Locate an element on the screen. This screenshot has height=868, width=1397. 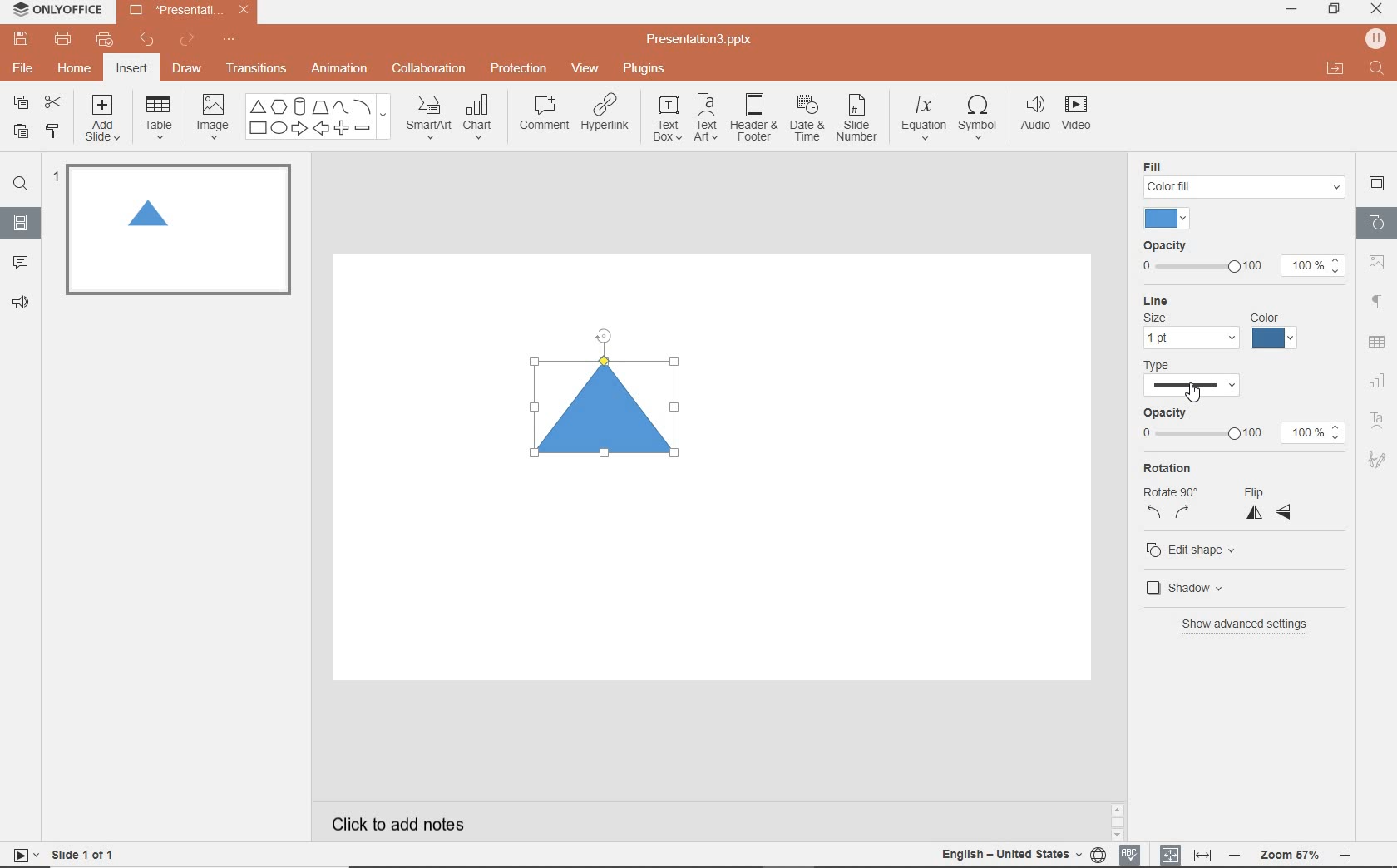
TRANSITIONS is located at coordinates (259, 68).